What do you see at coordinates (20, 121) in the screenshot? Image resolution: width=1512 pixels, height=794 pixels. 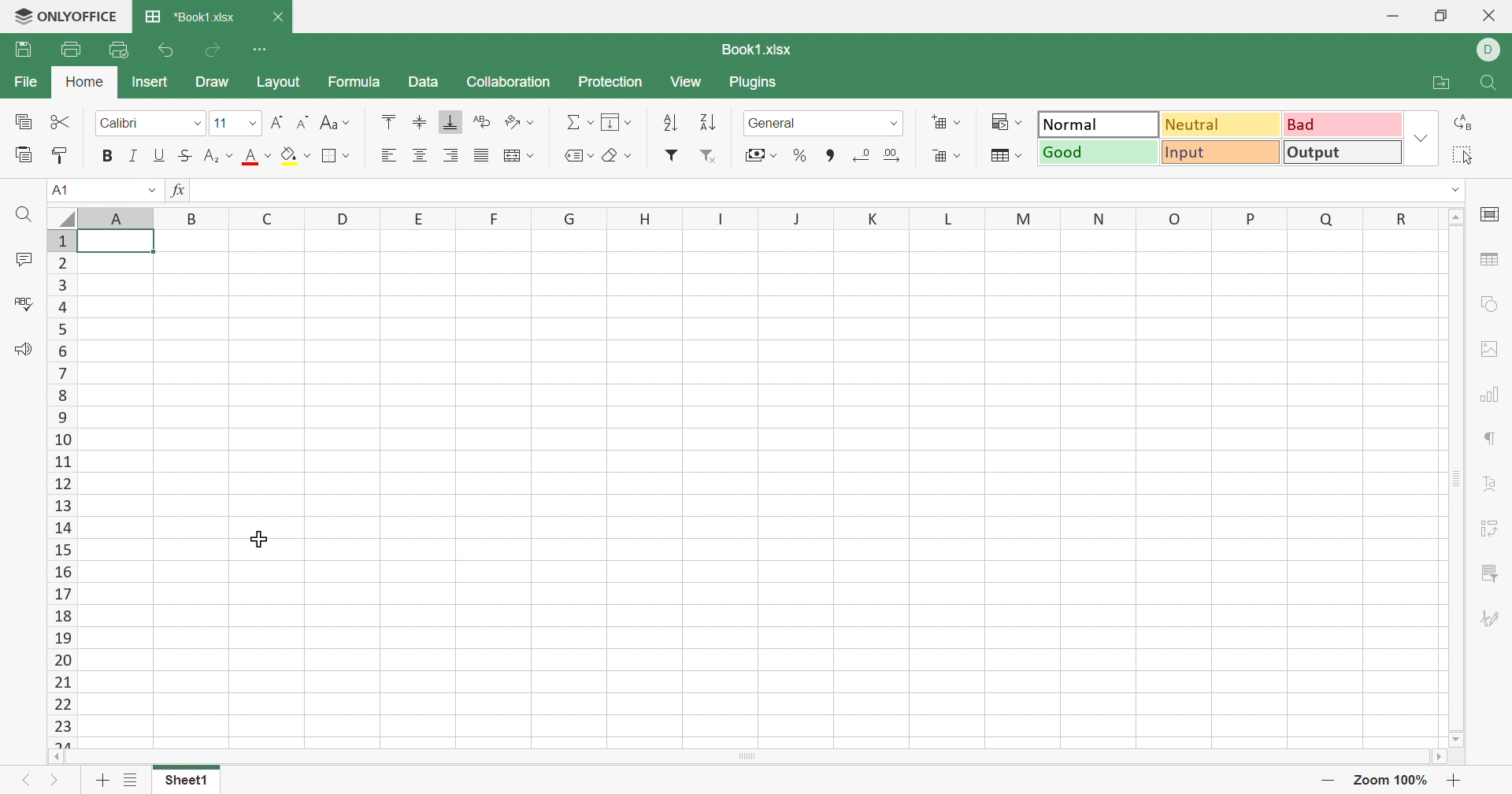 I see `Copy` at bounding box center [20, 121].